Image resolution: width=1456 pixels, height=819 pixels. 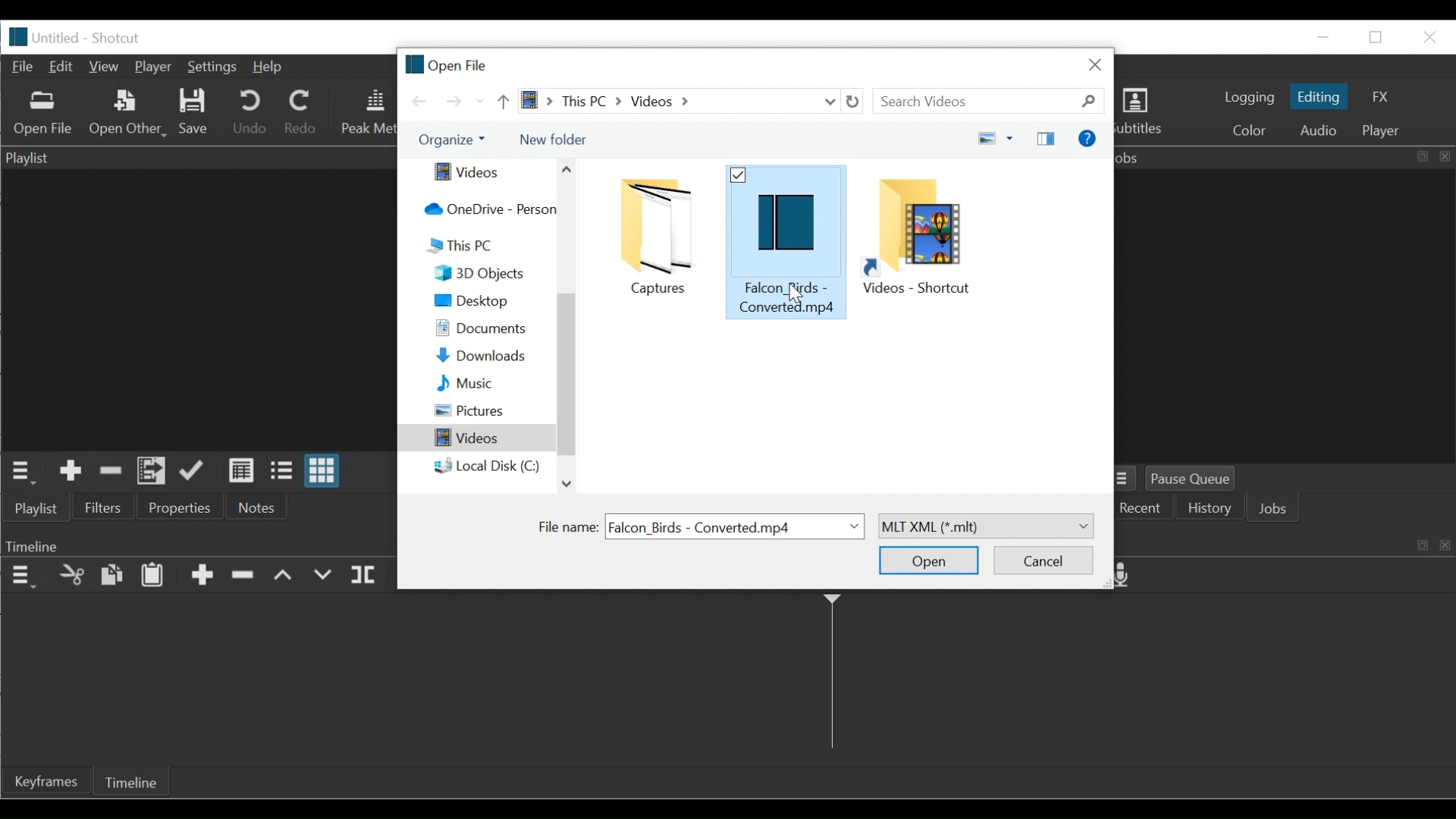 I want to click on Open, so click(x=930, y=560).